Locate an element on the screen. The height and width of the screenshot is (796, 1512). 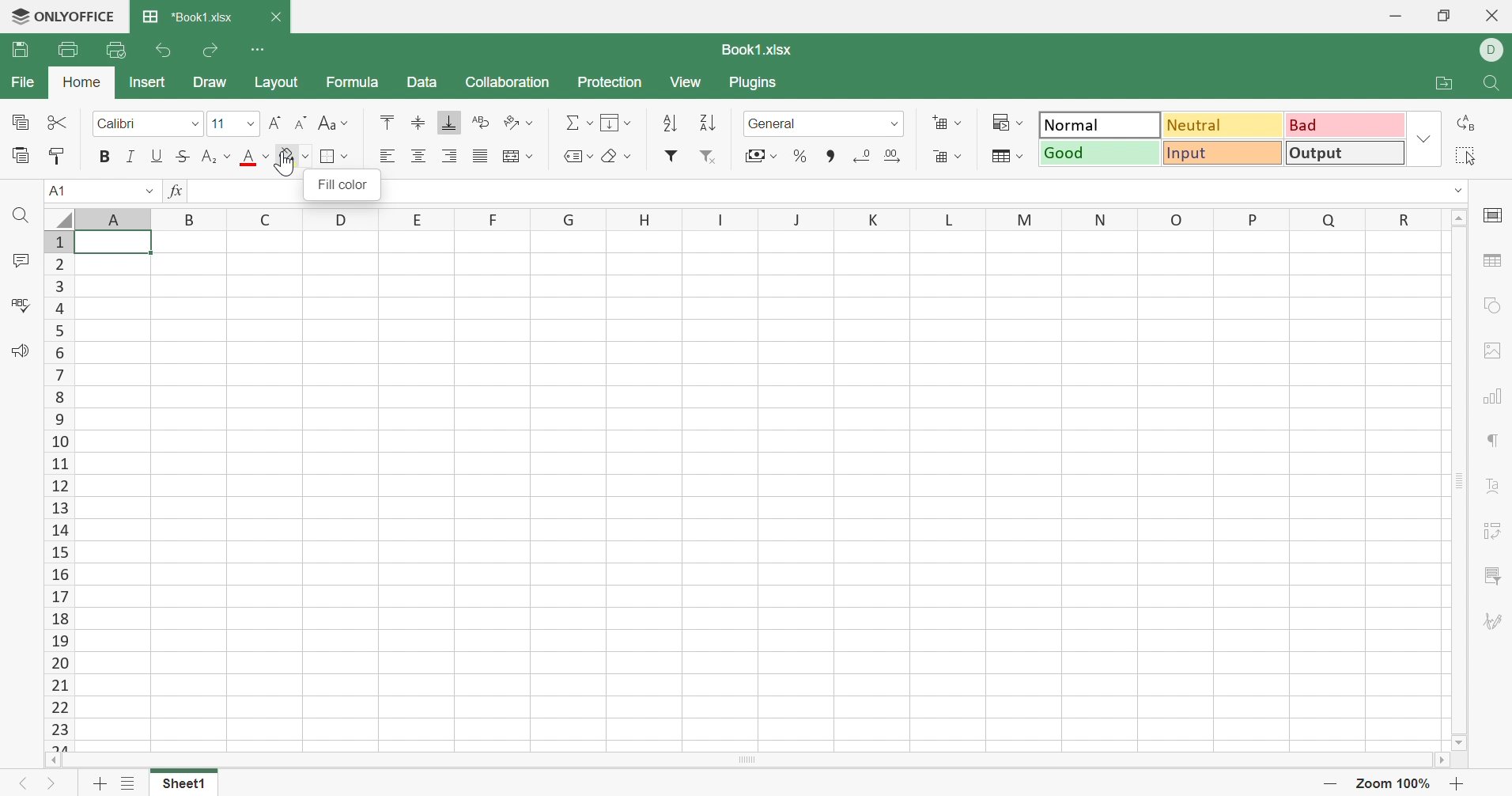
Zoom 100% is located at coordinates (1396, 783).